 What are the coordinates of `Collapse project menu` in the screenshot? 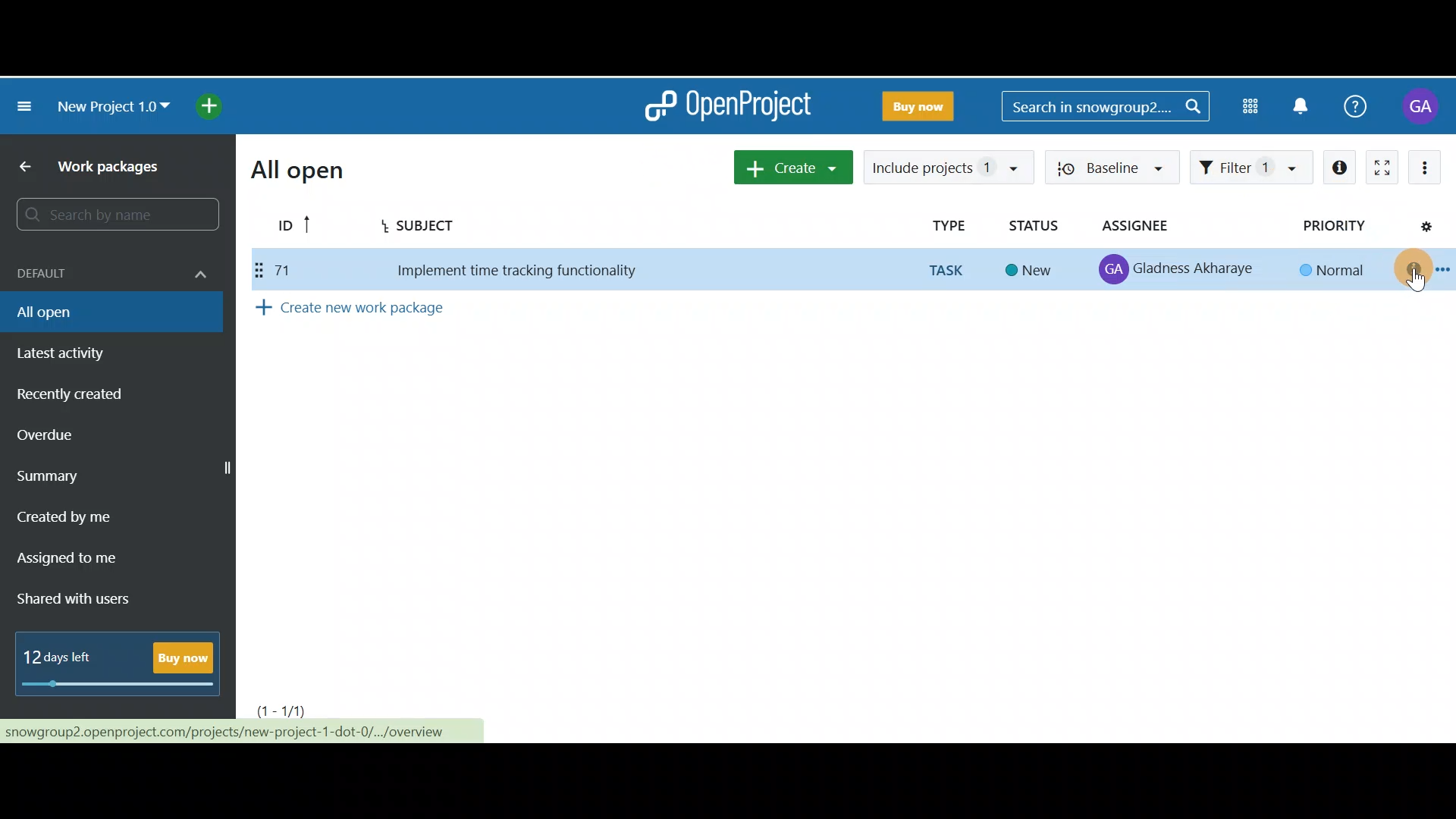 It's located at (26, 110).